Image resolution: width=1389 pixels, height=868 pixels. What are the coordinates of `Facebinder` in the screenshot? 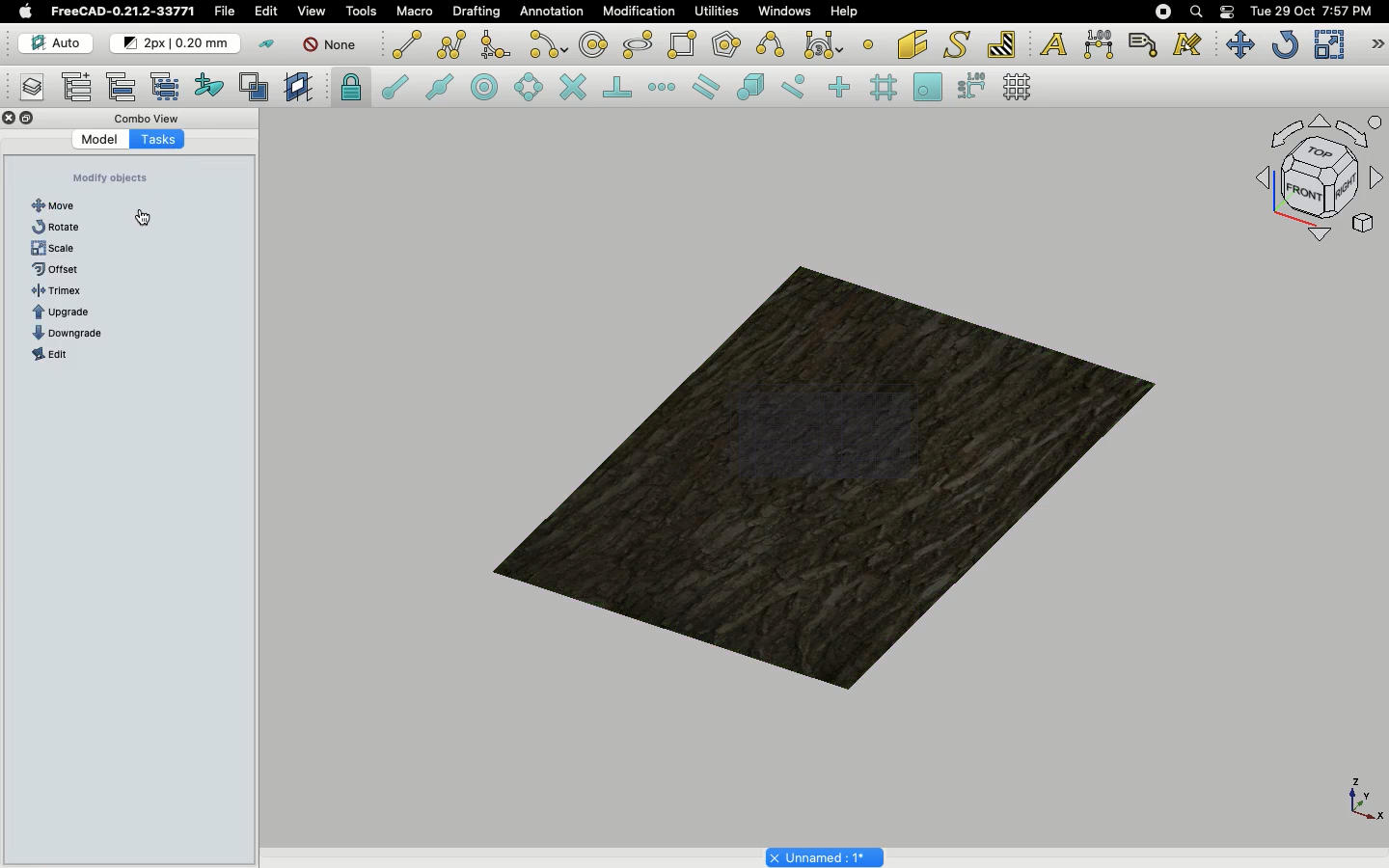 It's located at (912, 46).